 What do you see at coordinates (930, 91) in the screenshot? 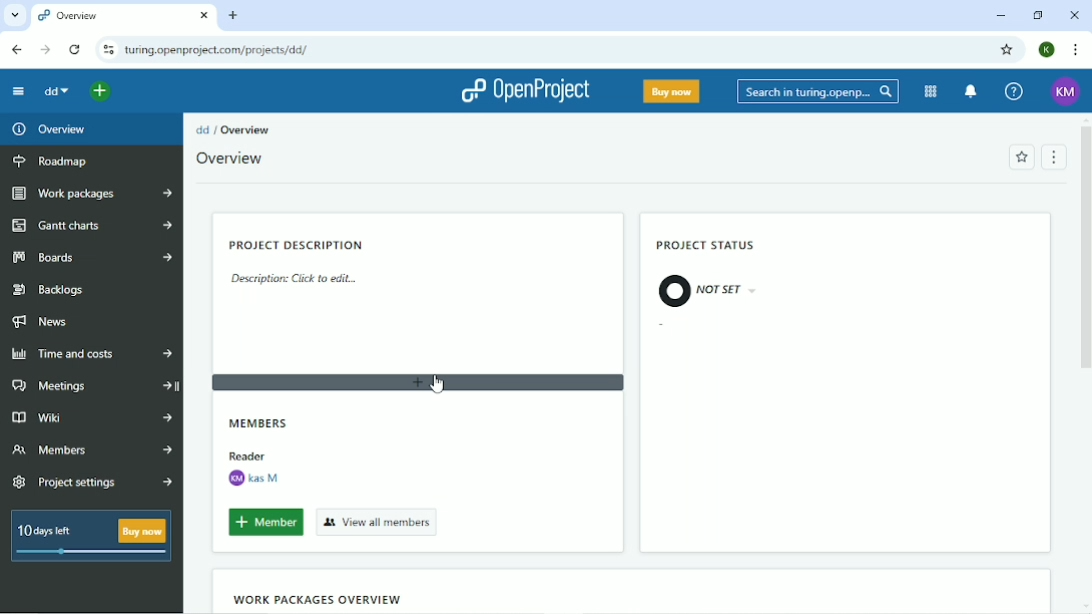
I see `Modules` at bounding box center [930, 91].